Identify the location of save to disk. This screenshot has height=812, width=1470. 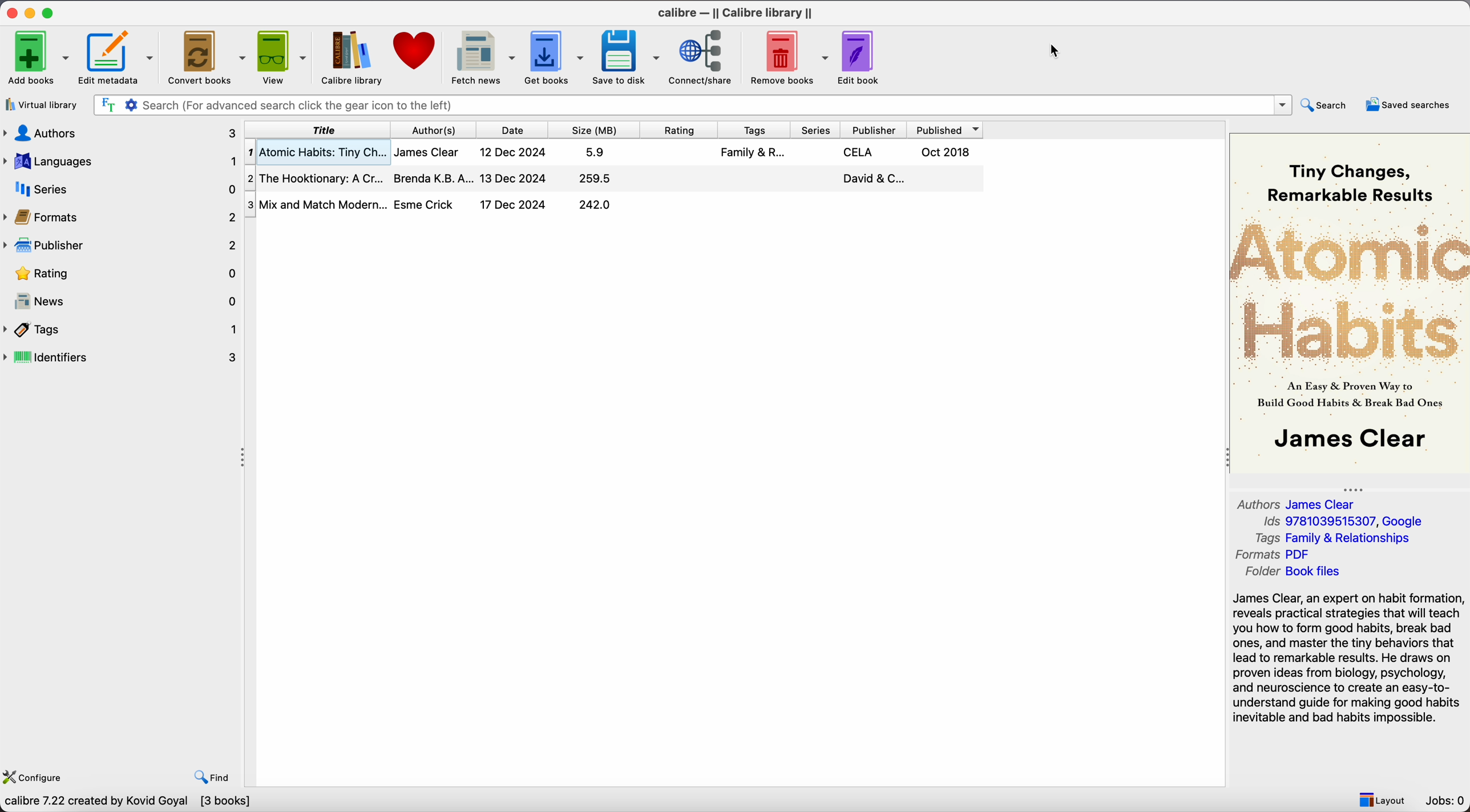
(627, 57).